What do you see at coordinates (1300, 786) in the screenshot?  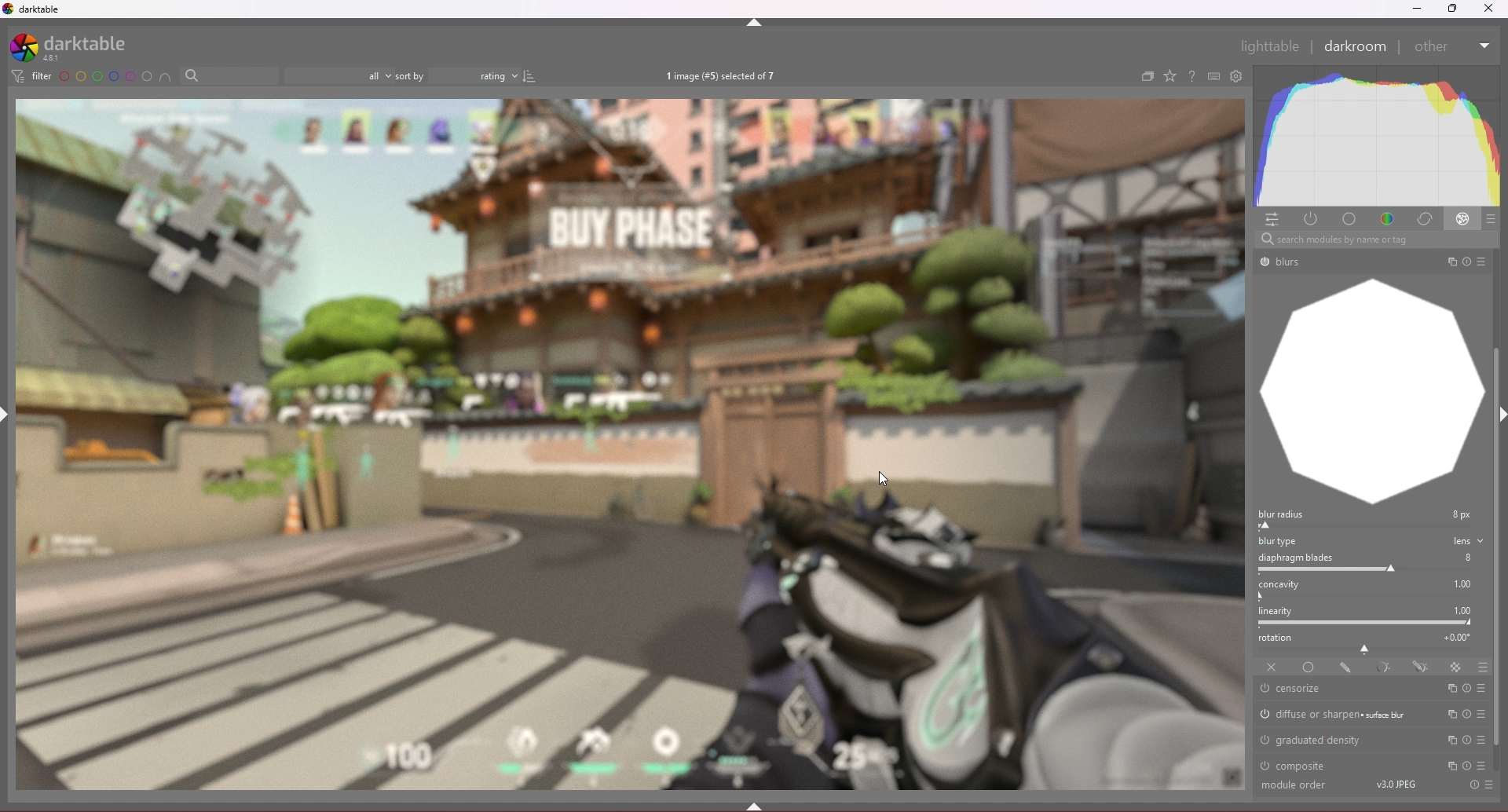 I see `` at bounding box center [1300, 786].